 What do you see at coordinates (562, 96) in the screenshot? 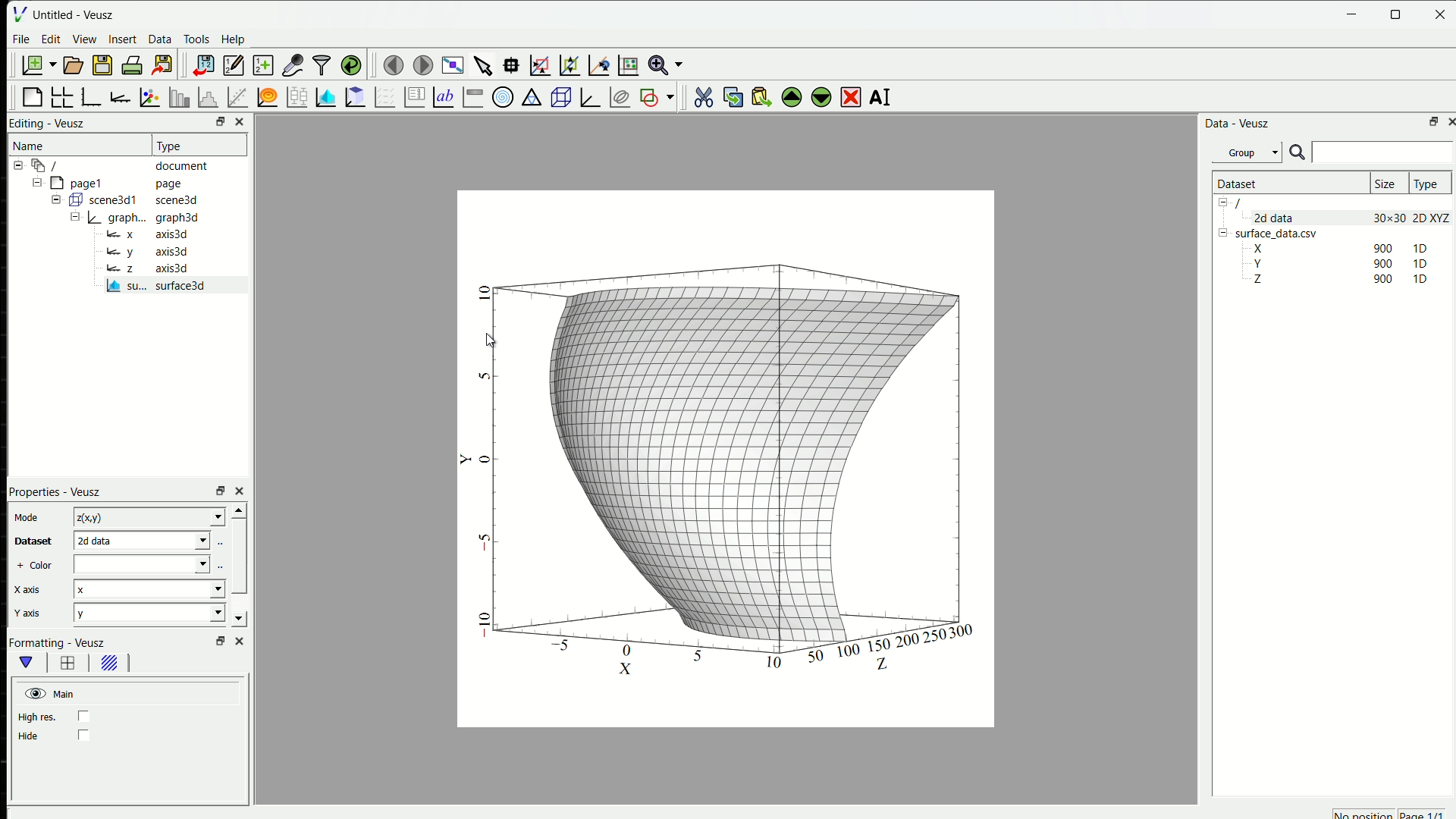
I see `3D scene` at bounding box center [562, 96].